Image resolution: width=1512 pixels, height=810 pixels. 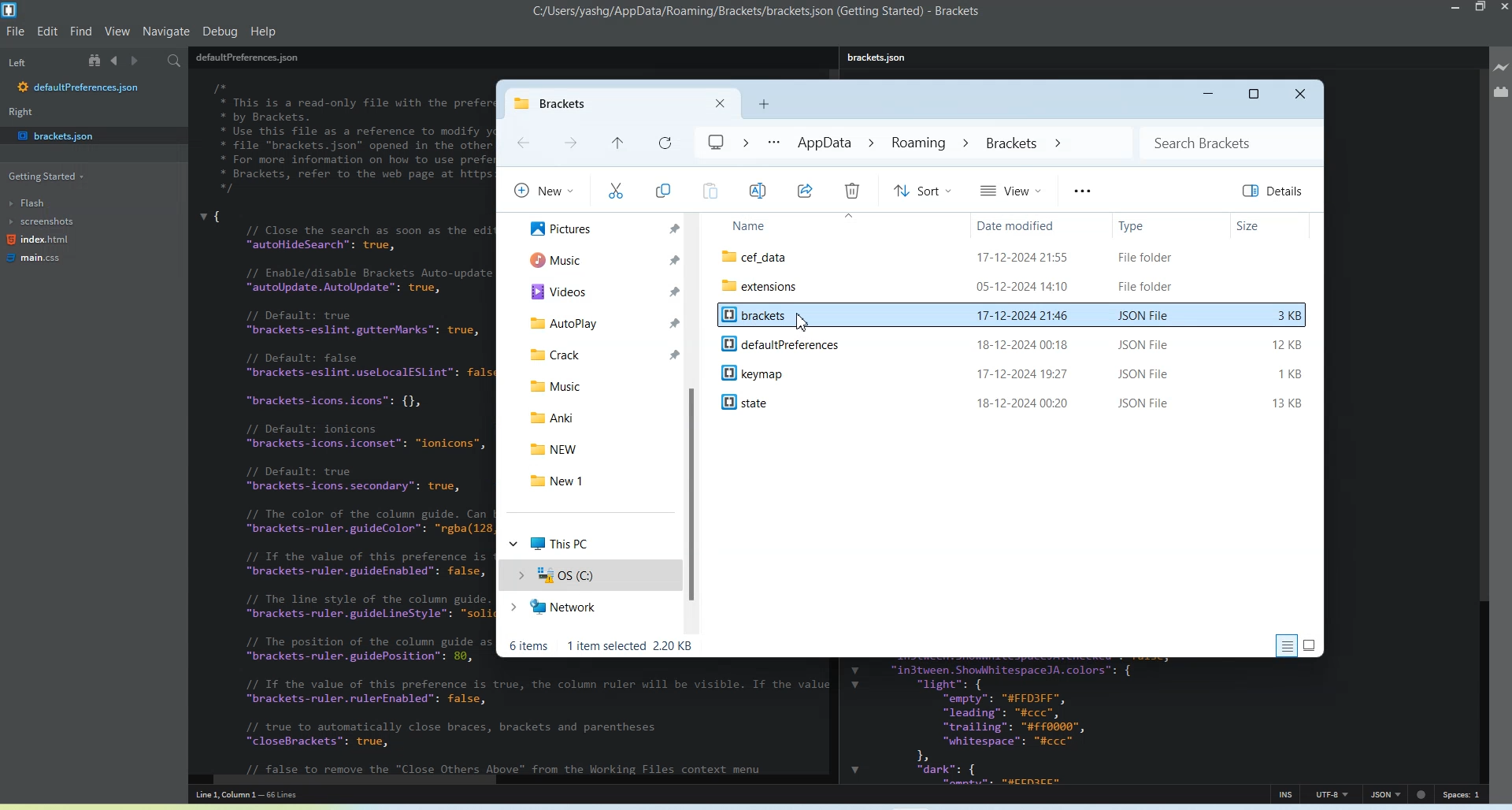 What do you see at coordinates (88, 135) in the screenshot?
I see `bracket.json` at bounding box center [88, 135].